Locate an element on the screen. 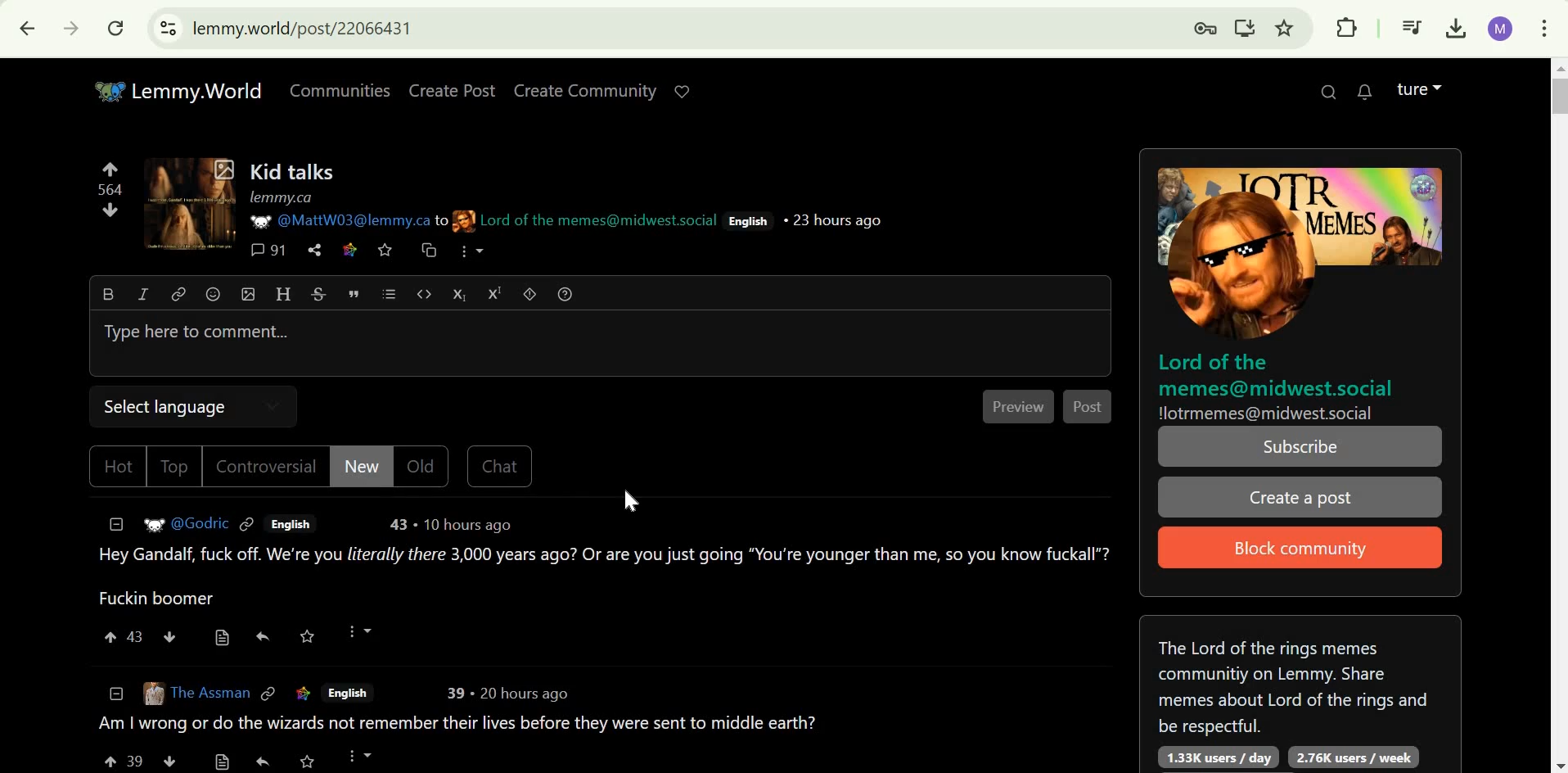 The image size is (1568, 773). english is located at coordinates (750, 221).